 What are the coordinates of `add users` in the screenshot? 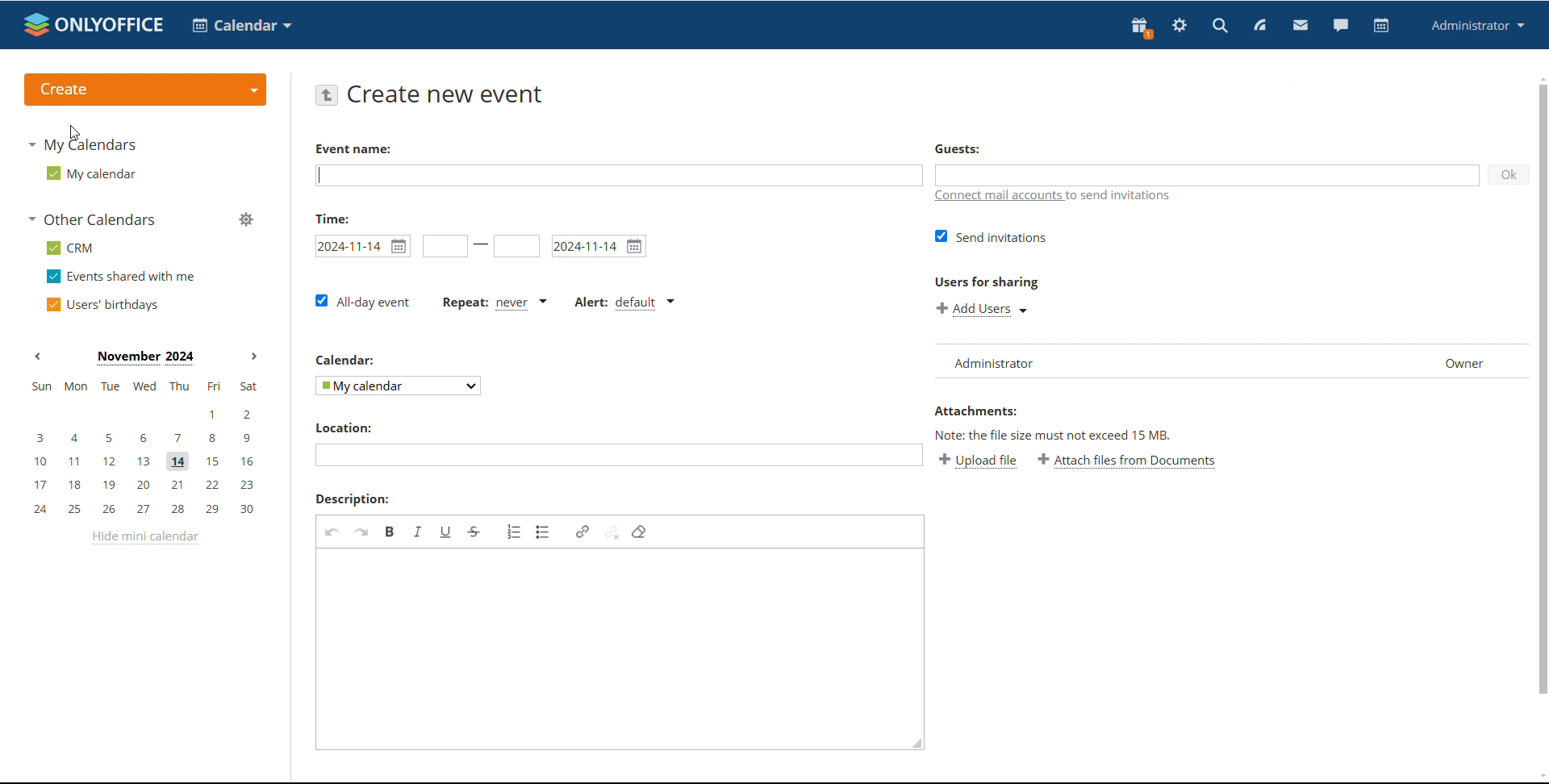 It's located at (984, 309).